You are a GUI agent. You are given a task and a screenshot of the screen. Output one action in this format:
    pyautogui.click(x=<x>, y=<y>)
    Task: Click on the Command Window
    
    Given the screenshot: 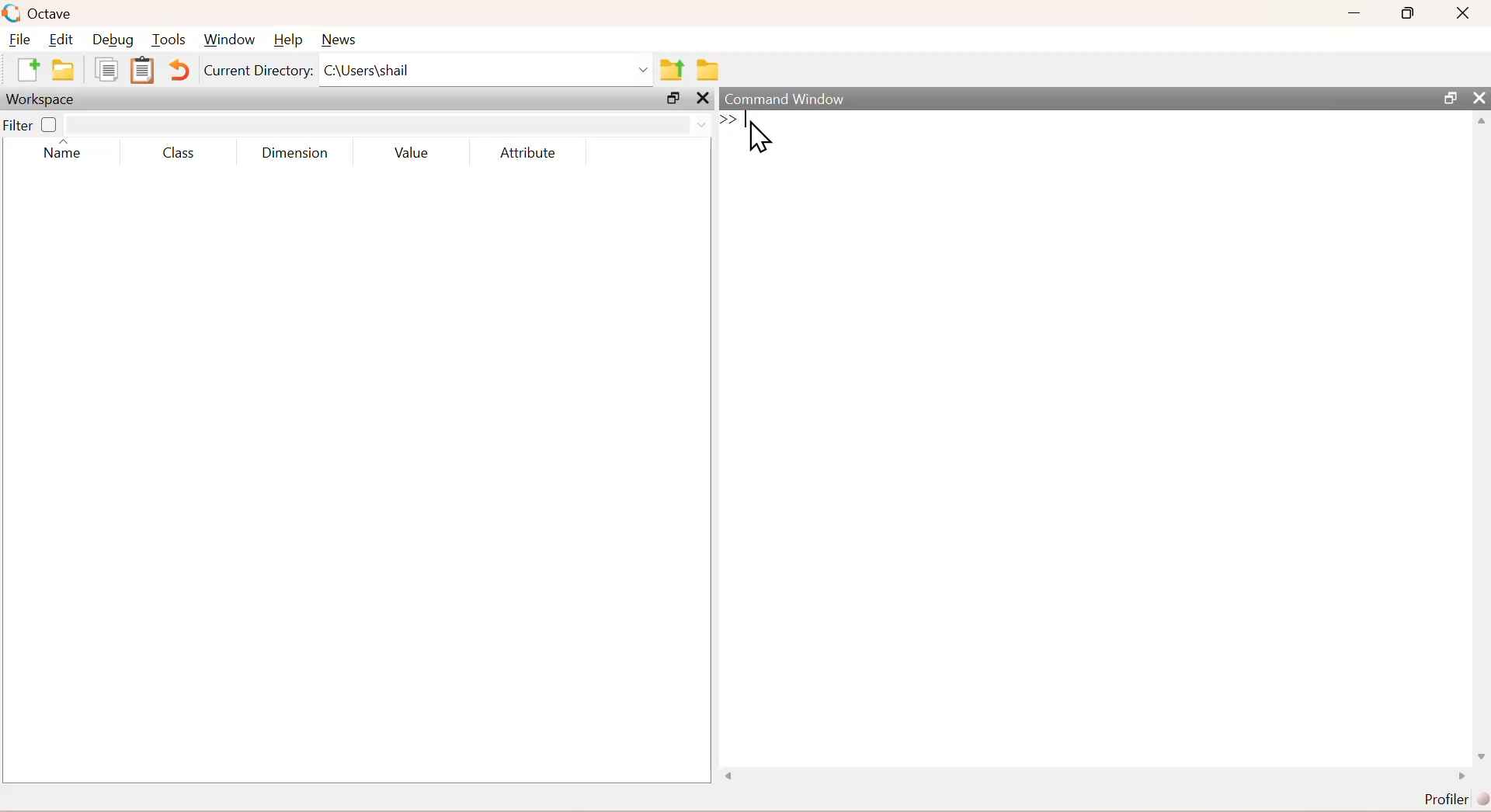 What is the action you would take?
    pyautogui.click(x=784, y=96)
    